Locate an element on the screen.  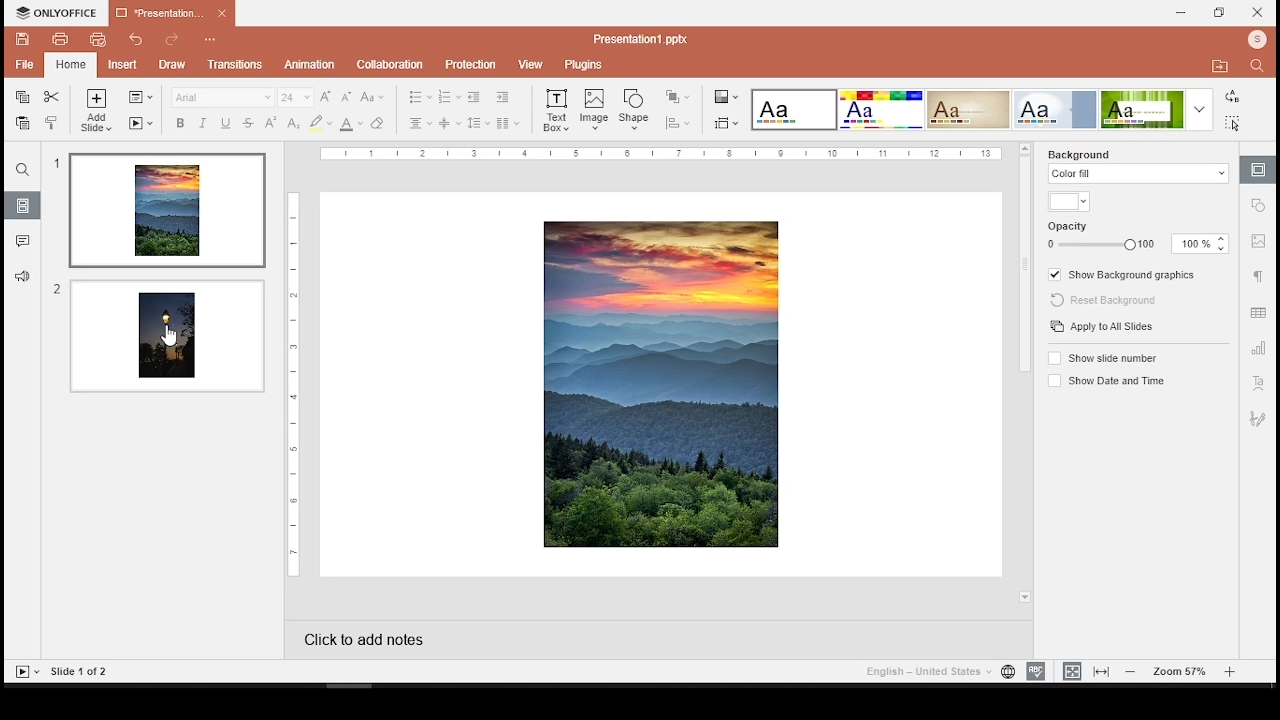
apply to slides is located at coordinates (1104, 327).